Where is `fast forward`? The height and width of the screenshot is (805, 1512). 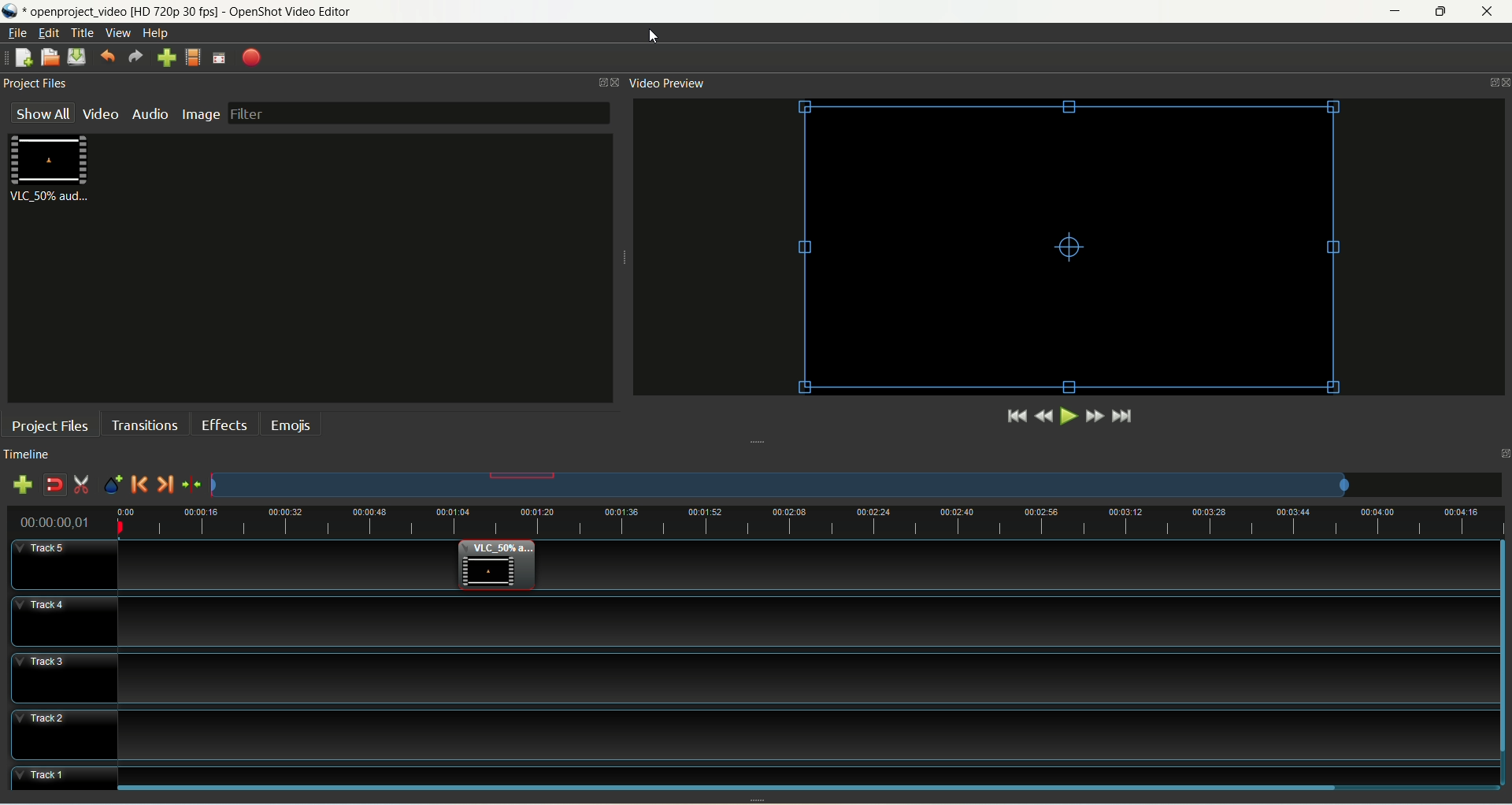 fast forward is located at coordinates (1094, 415).